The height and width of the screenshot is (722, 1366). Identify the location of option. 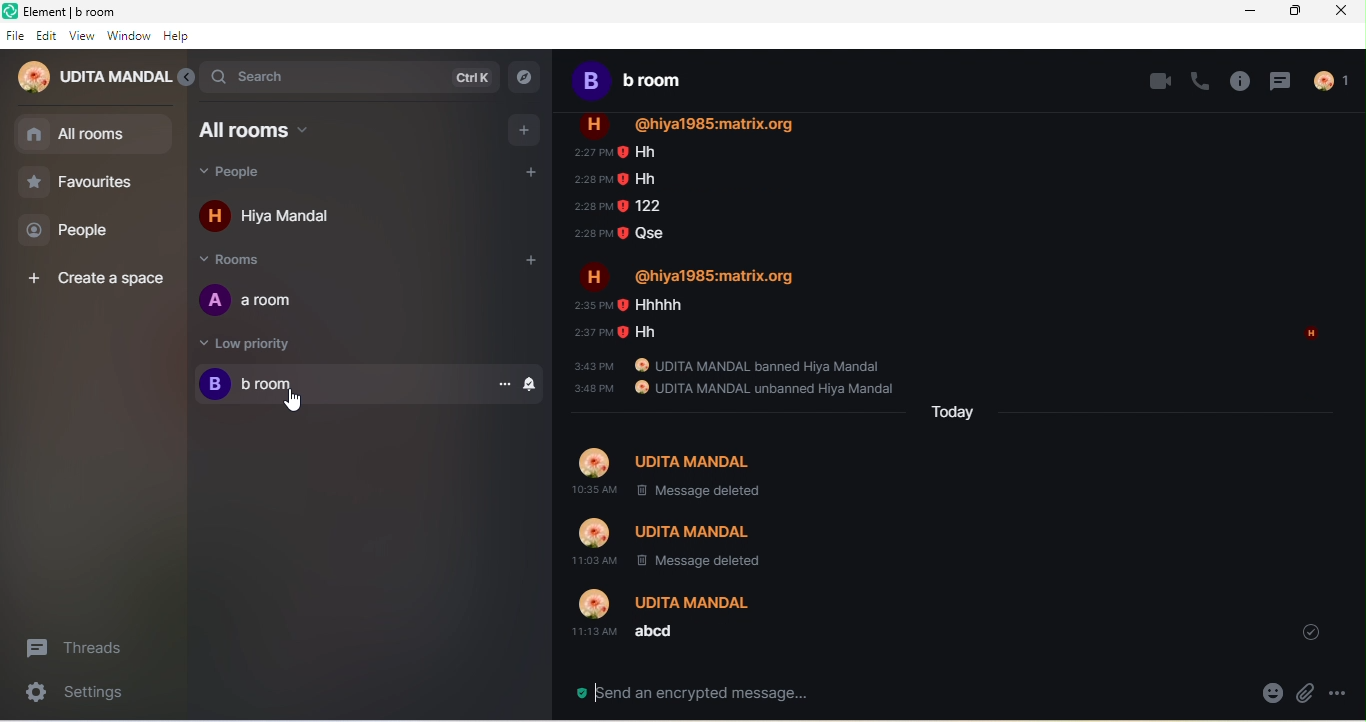
(507, 384).